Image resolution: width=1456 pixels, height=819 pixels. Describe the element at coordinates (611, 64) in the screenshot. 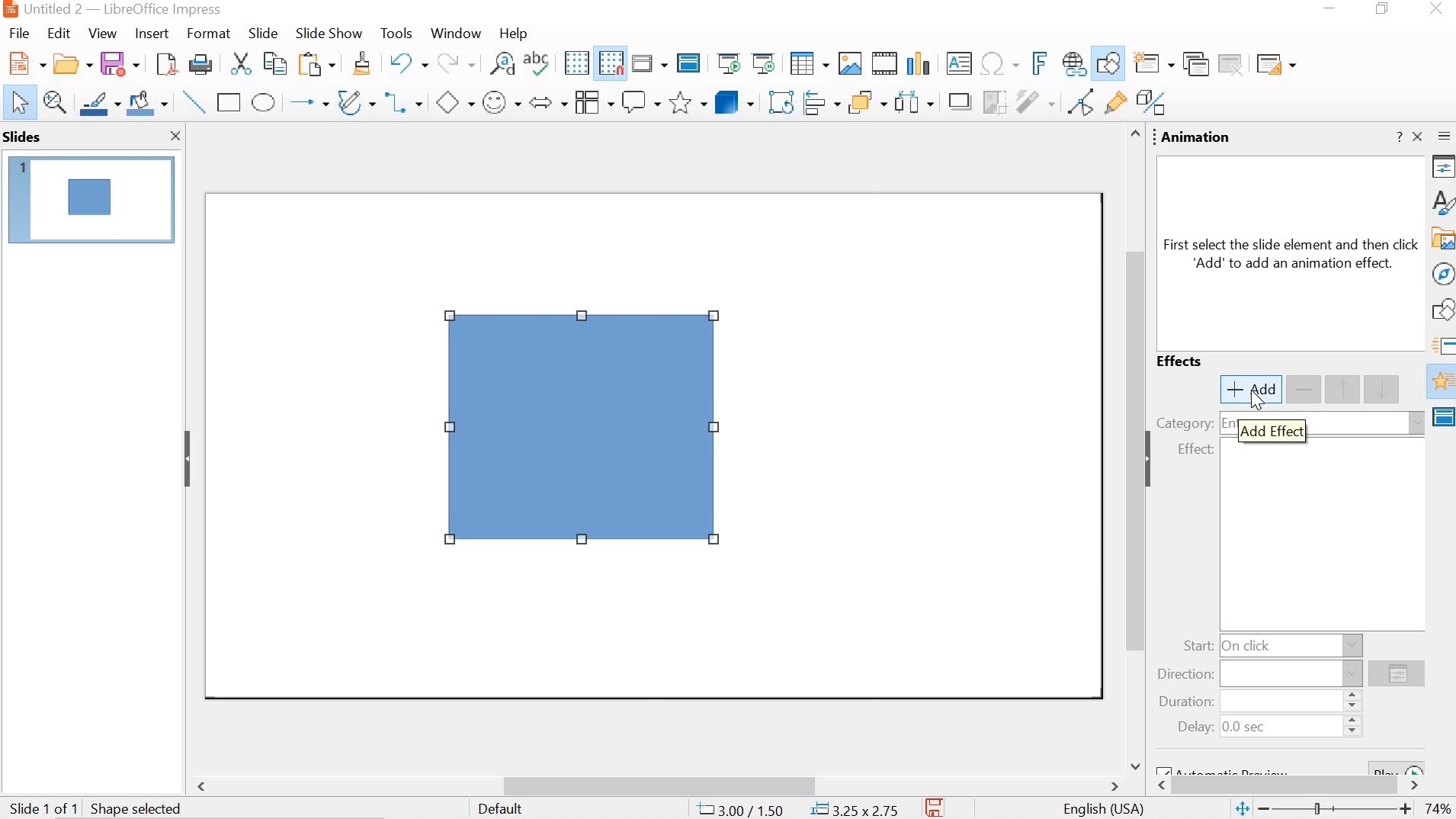

I see `snap to grid` at that location.